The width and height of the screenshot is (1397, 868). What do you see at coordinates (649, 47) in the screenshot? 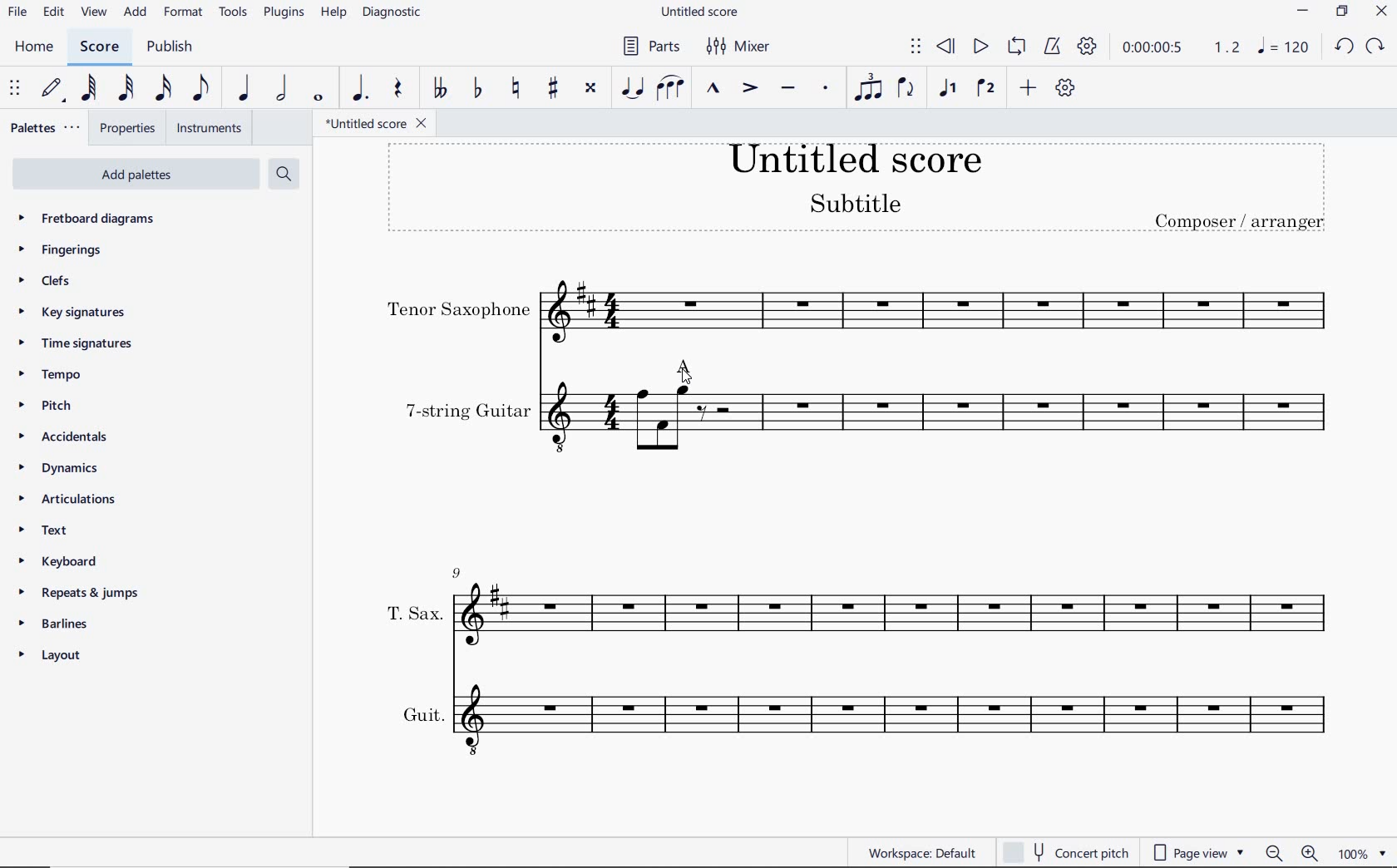
I see `PARTS` at bounding box center [649, 47].